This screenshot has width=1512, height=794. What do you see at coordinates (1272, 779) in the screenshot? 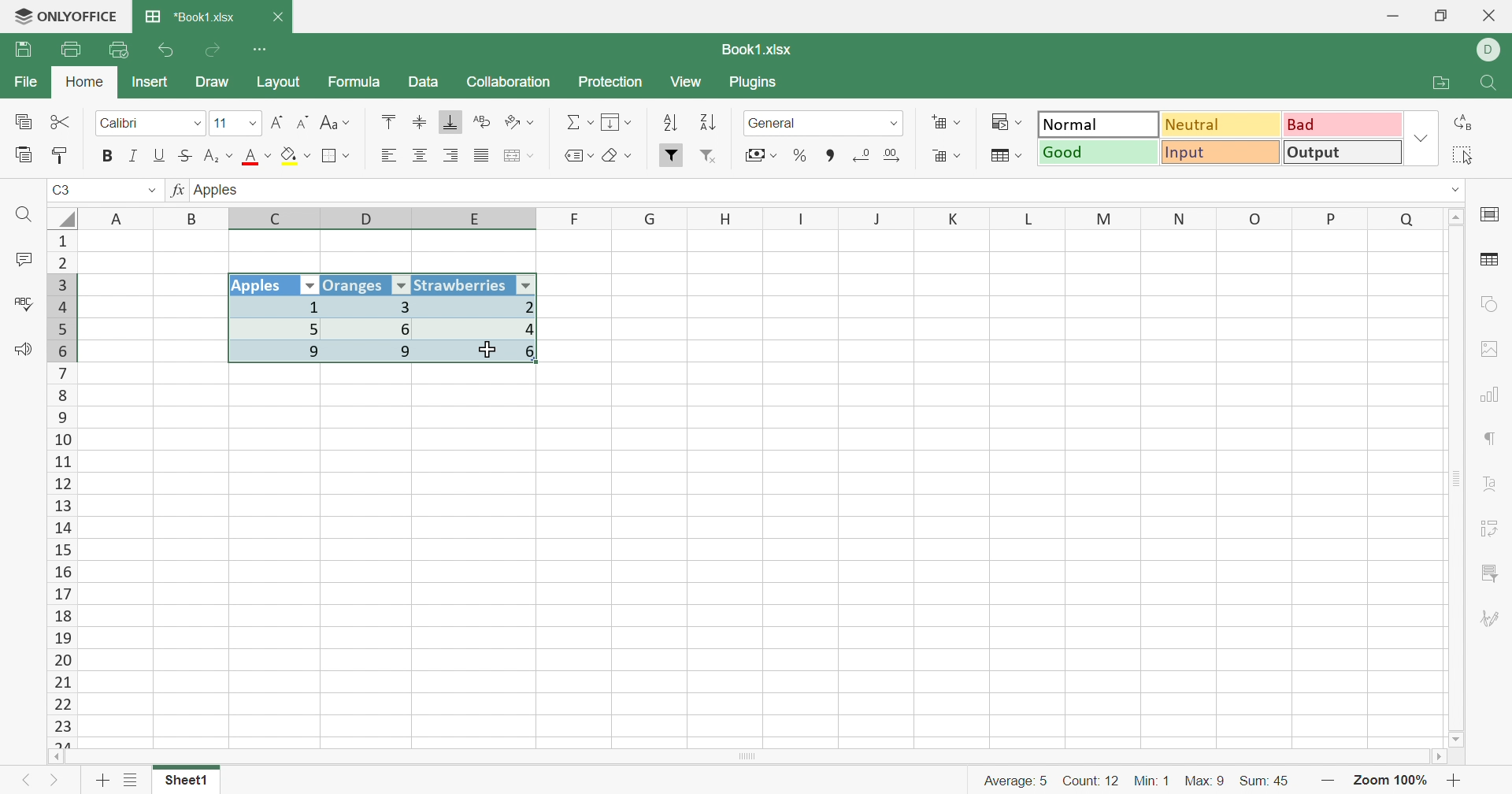
I see `Sum: 45` at bounding box center [1272, 779].